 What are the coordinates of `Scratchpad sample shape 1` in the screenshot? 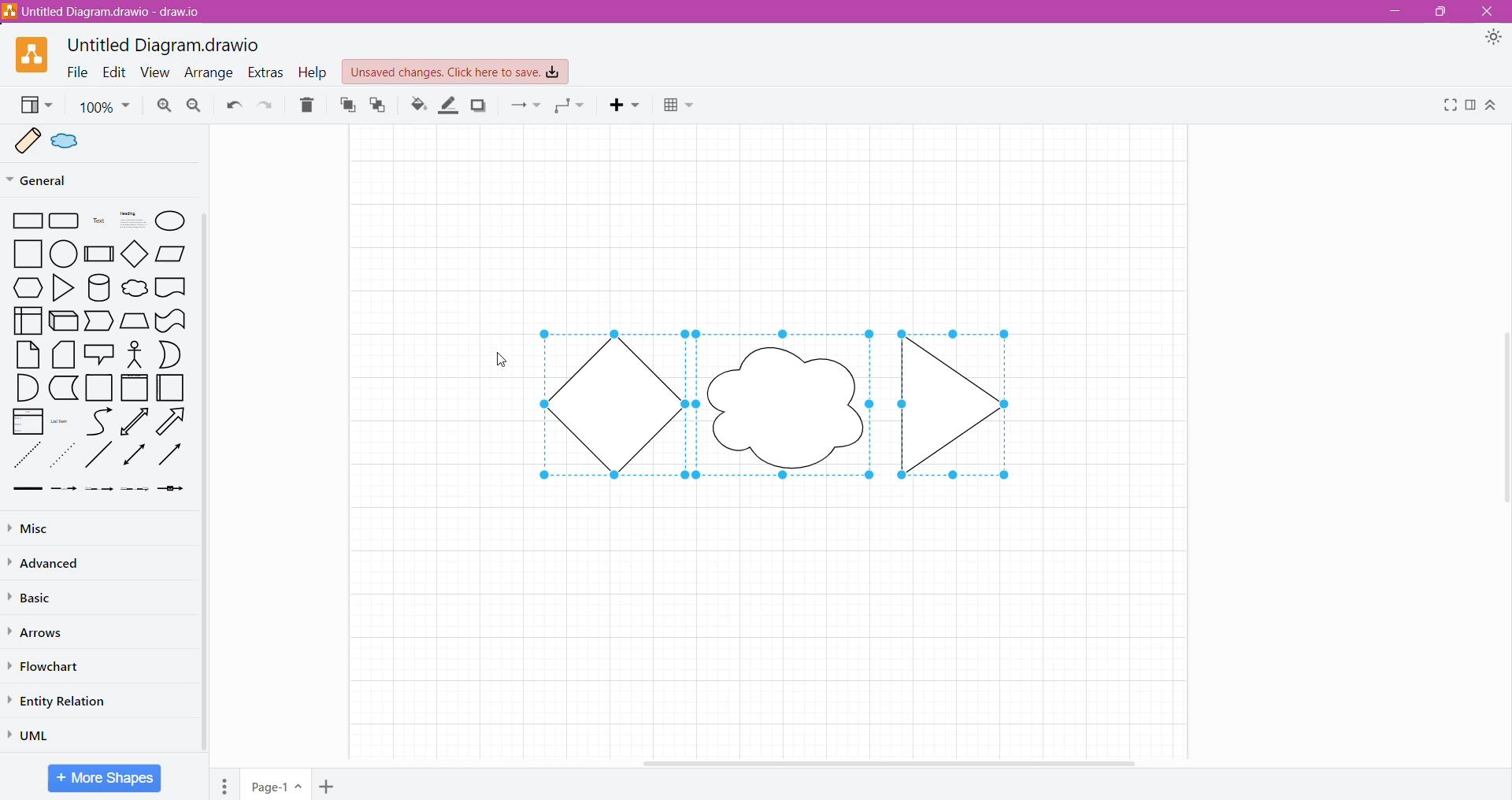 It's located at (24, 142).